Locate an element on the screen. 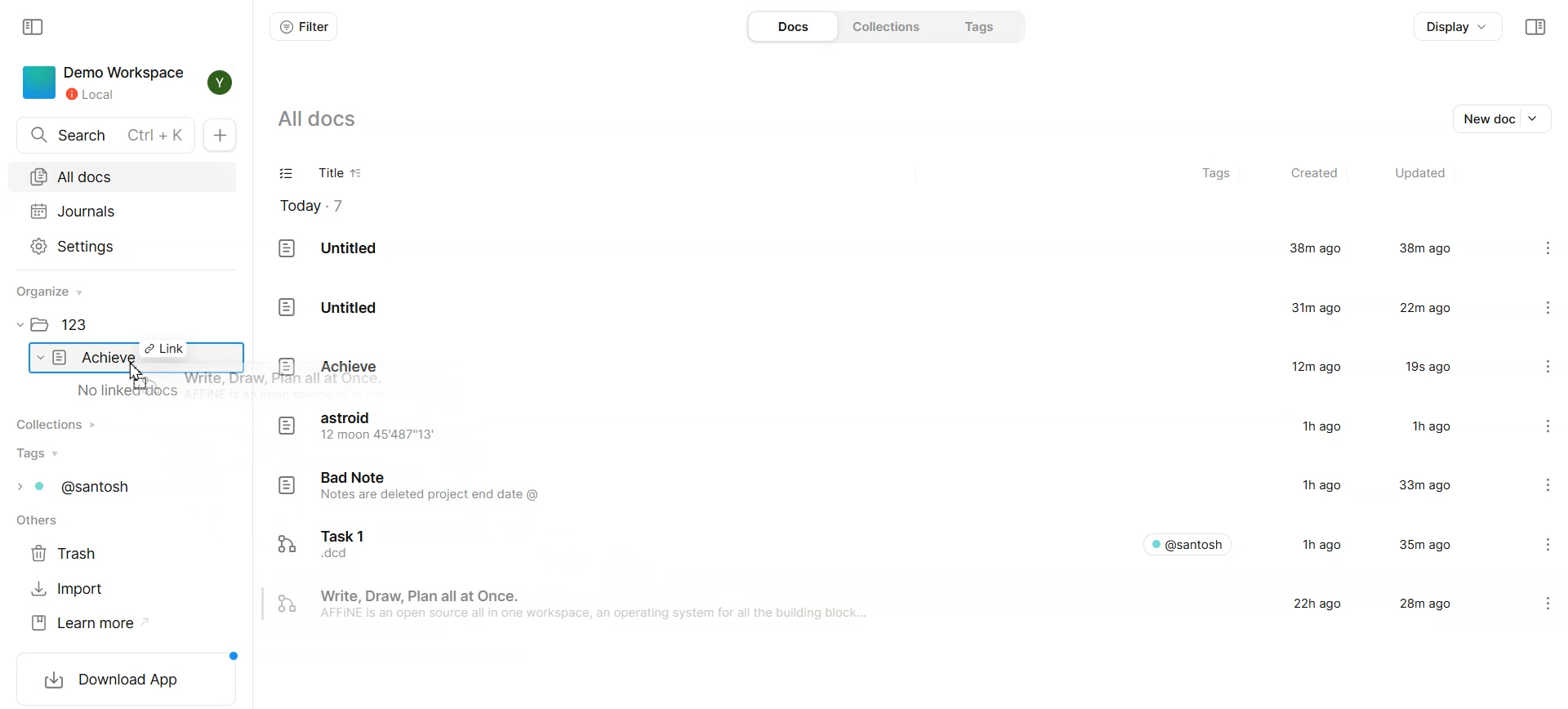 Image resolution: width=1568 pixels, height=709 pixels. Collections is located at coordinates (63, 424).